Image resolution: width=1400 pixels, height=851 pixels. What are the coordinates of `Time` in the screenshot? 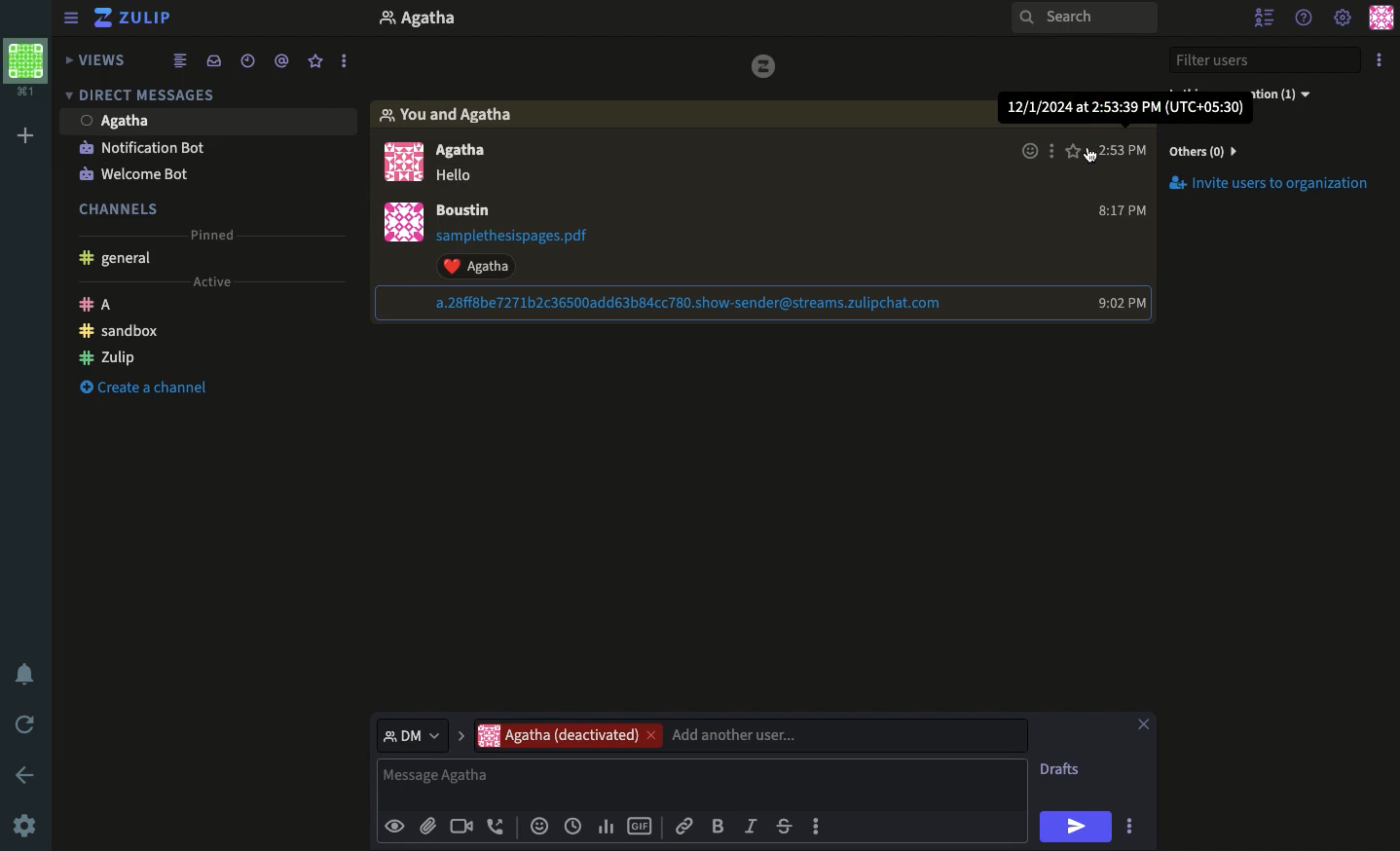 It's located at (1123, 149).